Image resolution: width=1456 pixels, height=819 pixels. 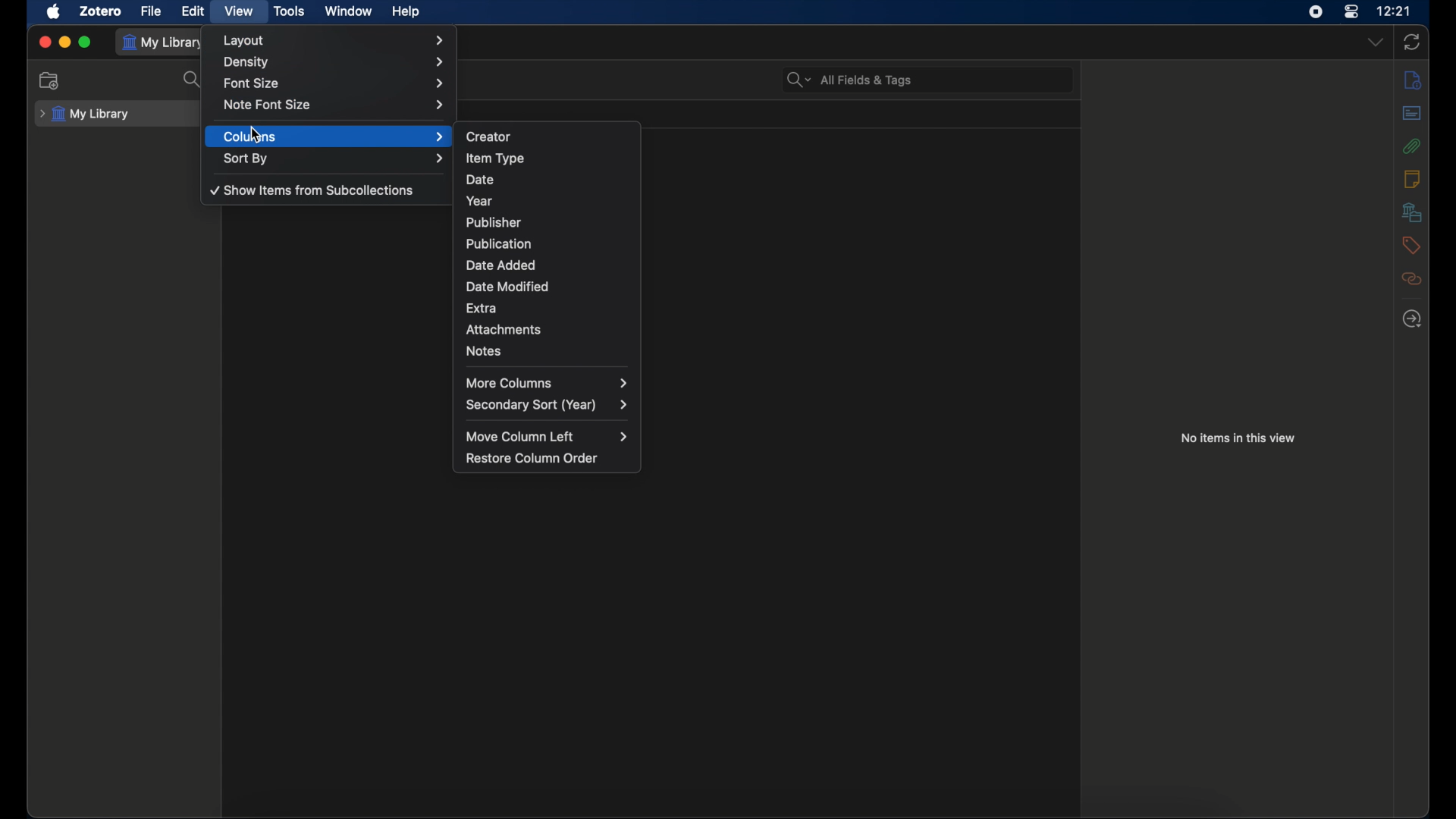 I want to click on info, so click(x=1412, y=79).